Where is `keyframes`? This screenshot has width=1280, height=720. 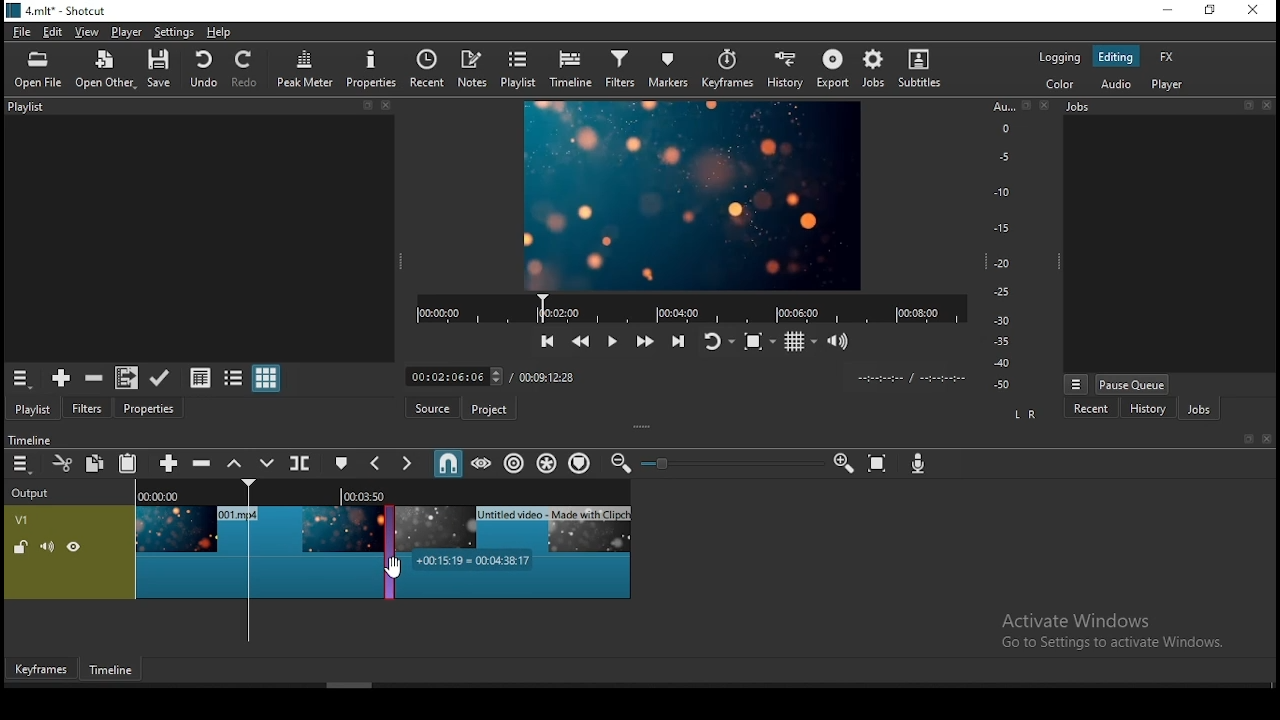 keyframes is located at coordinates (731, 69).